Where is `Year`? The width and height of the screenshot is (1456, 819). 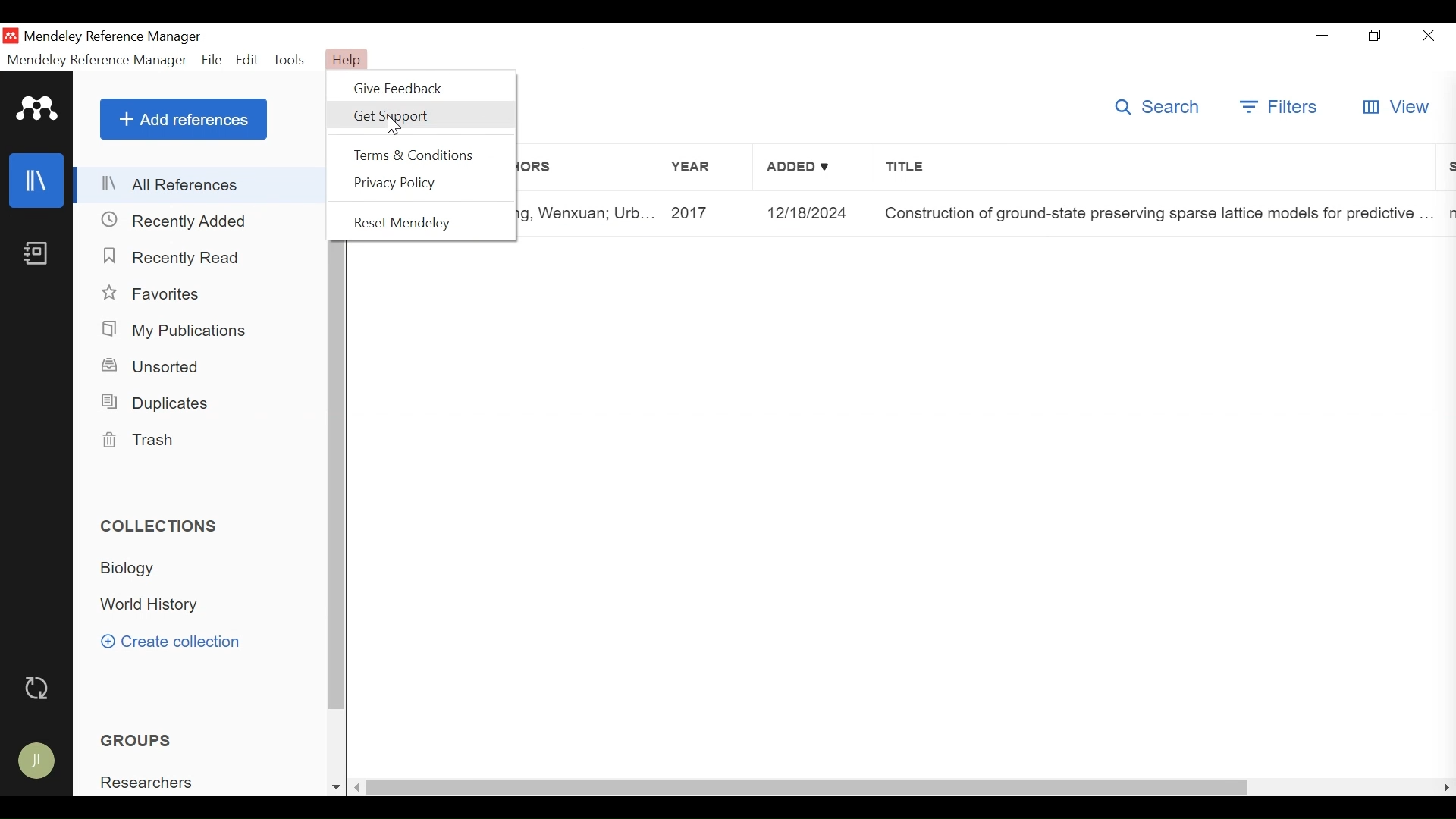
Year is located at coordinates (703, 170).